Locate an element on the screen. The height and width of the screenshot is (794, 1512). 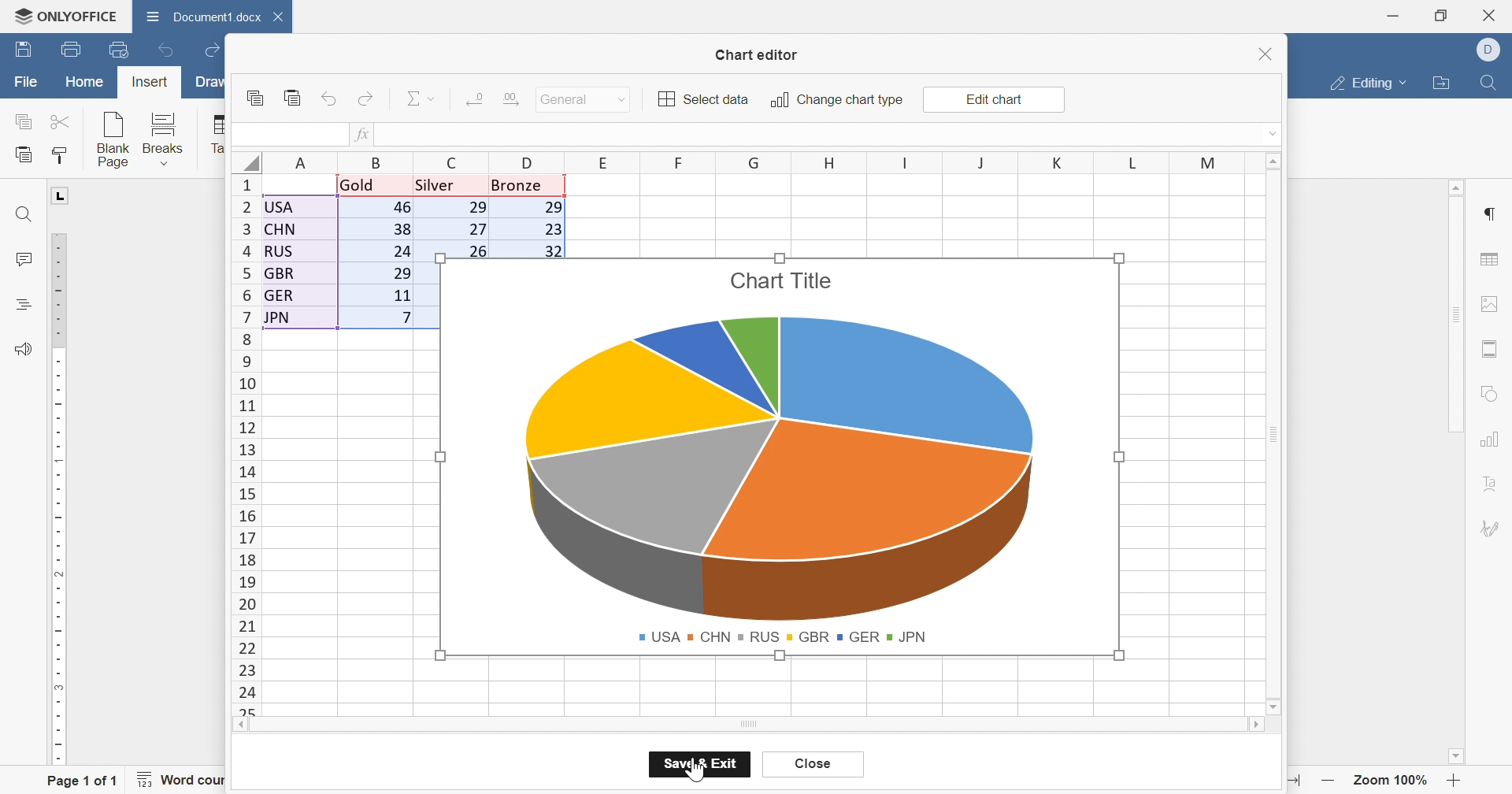
L is located at coordinates (61, 196).